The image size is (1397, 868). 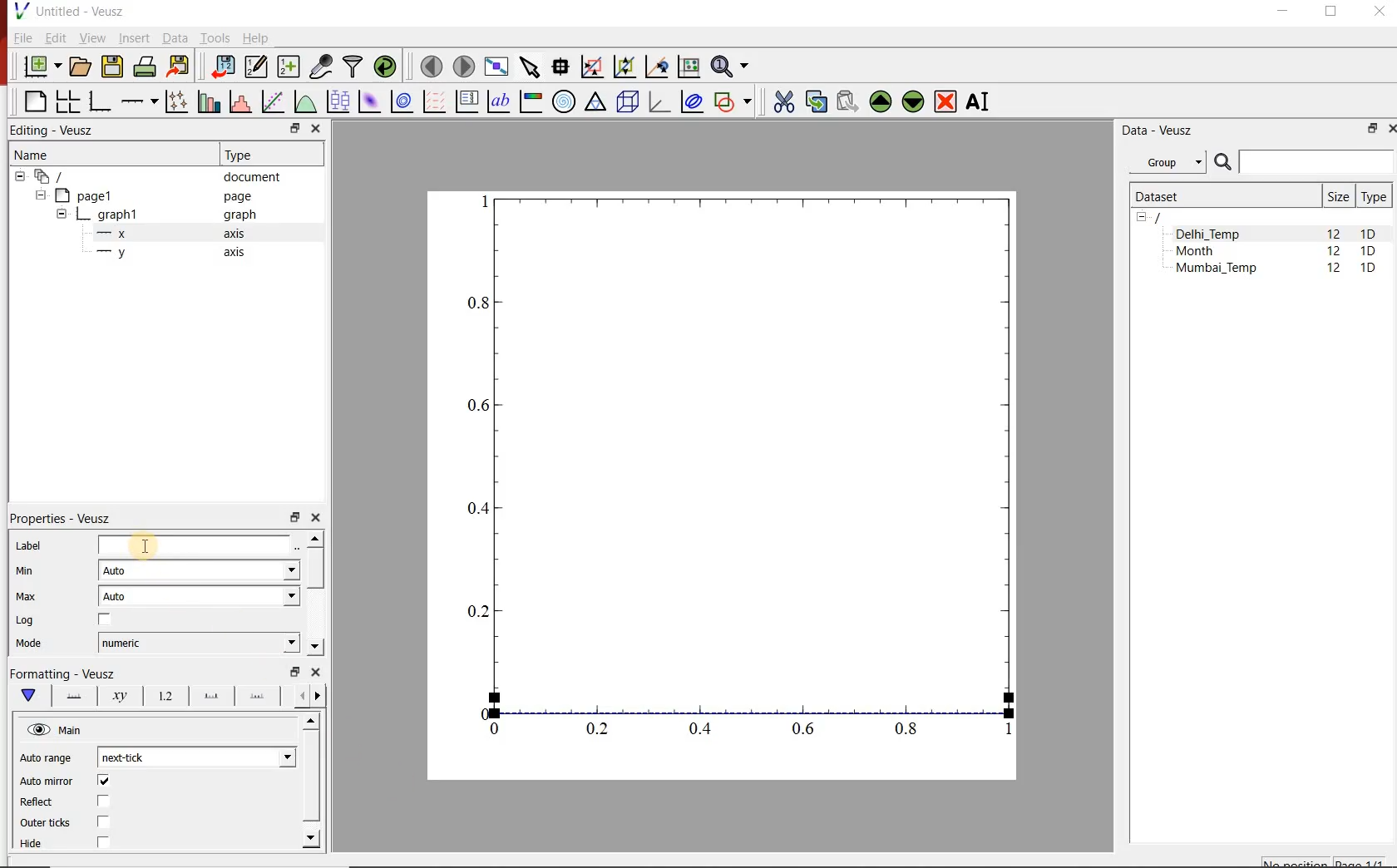 I want to click on print the document, so click(x=145, y=67).